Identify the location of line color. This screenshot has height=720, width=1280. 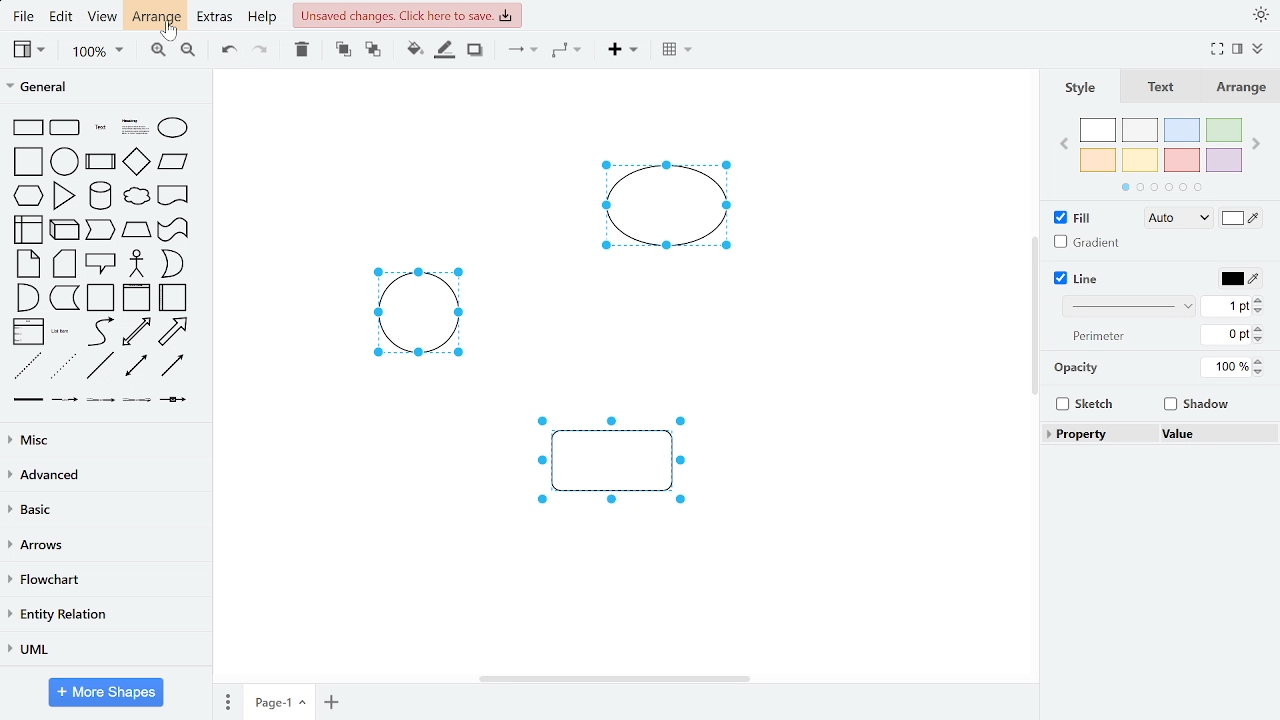
(1239, 278).